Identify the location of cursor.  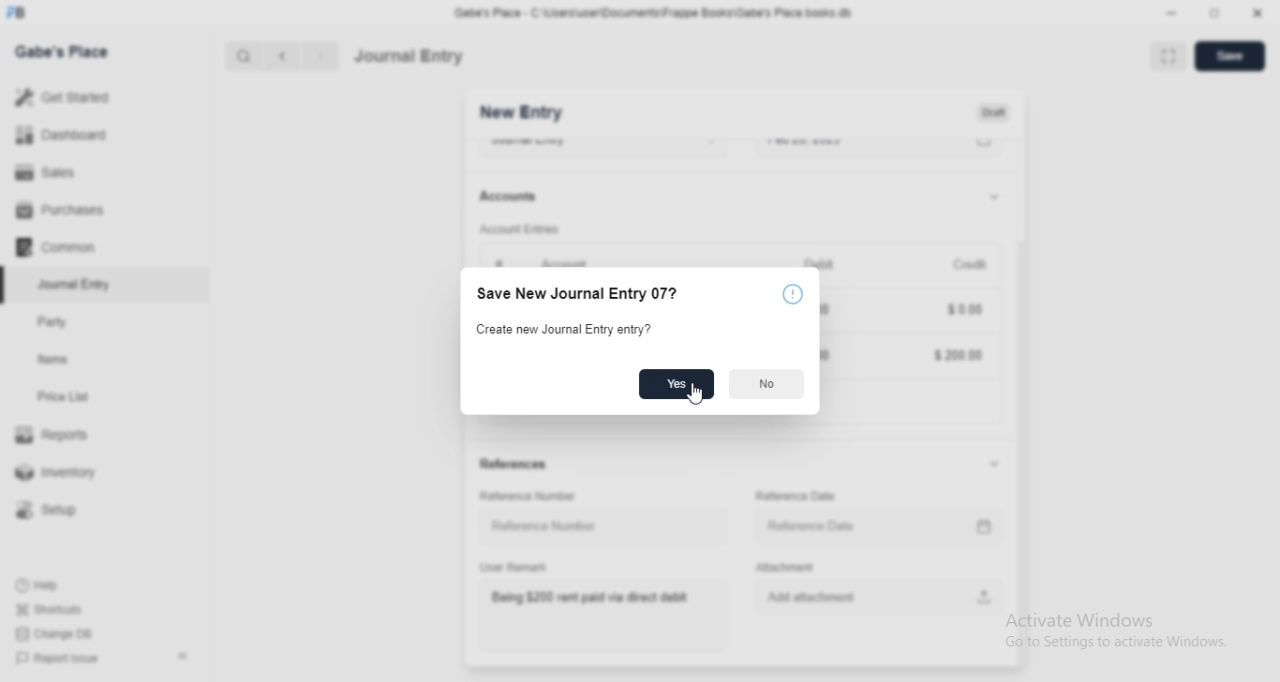
(690, 395).